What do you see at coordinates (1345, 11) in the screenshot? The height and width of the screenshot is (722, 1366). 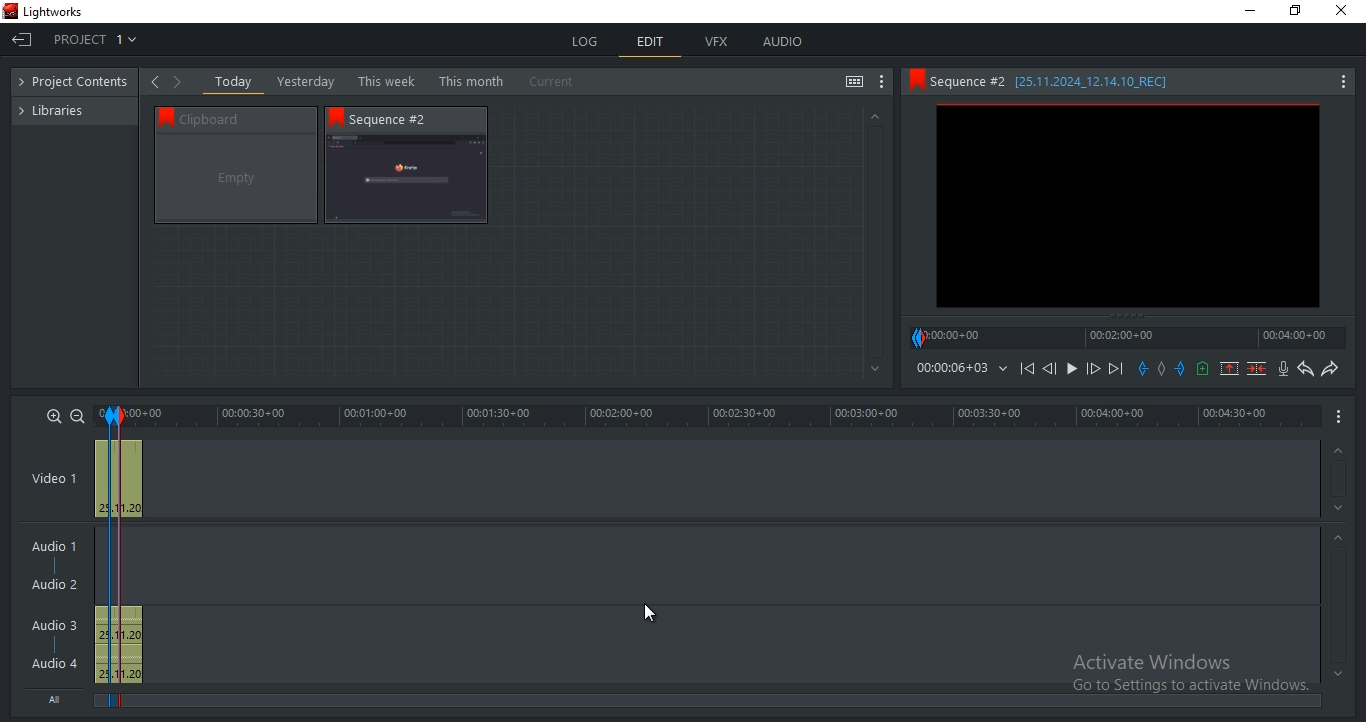 I see `Close` at bounding box center [1345, 11].